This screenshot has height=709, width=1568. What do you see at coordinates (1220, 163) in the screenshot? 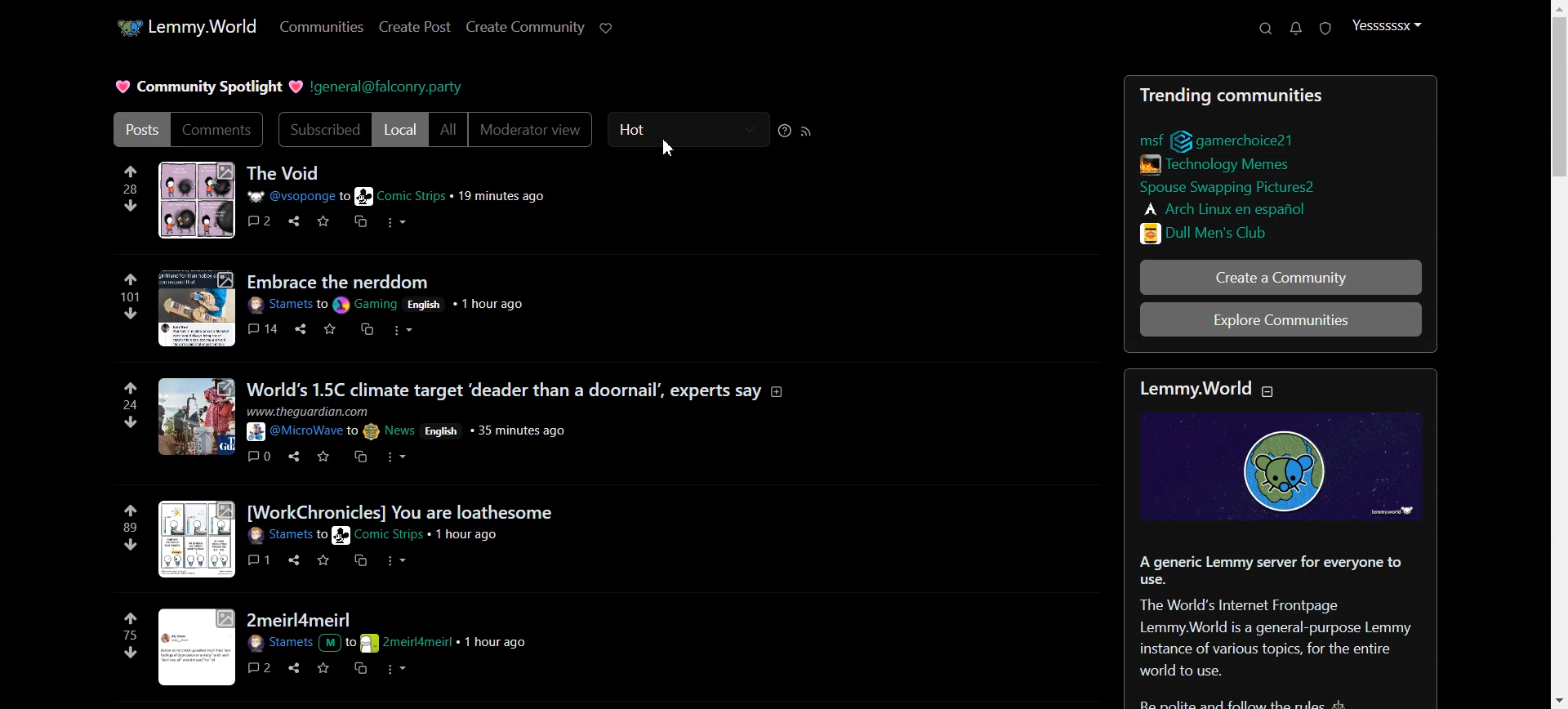
I see `LInks` at bounding box center [1220, 163].